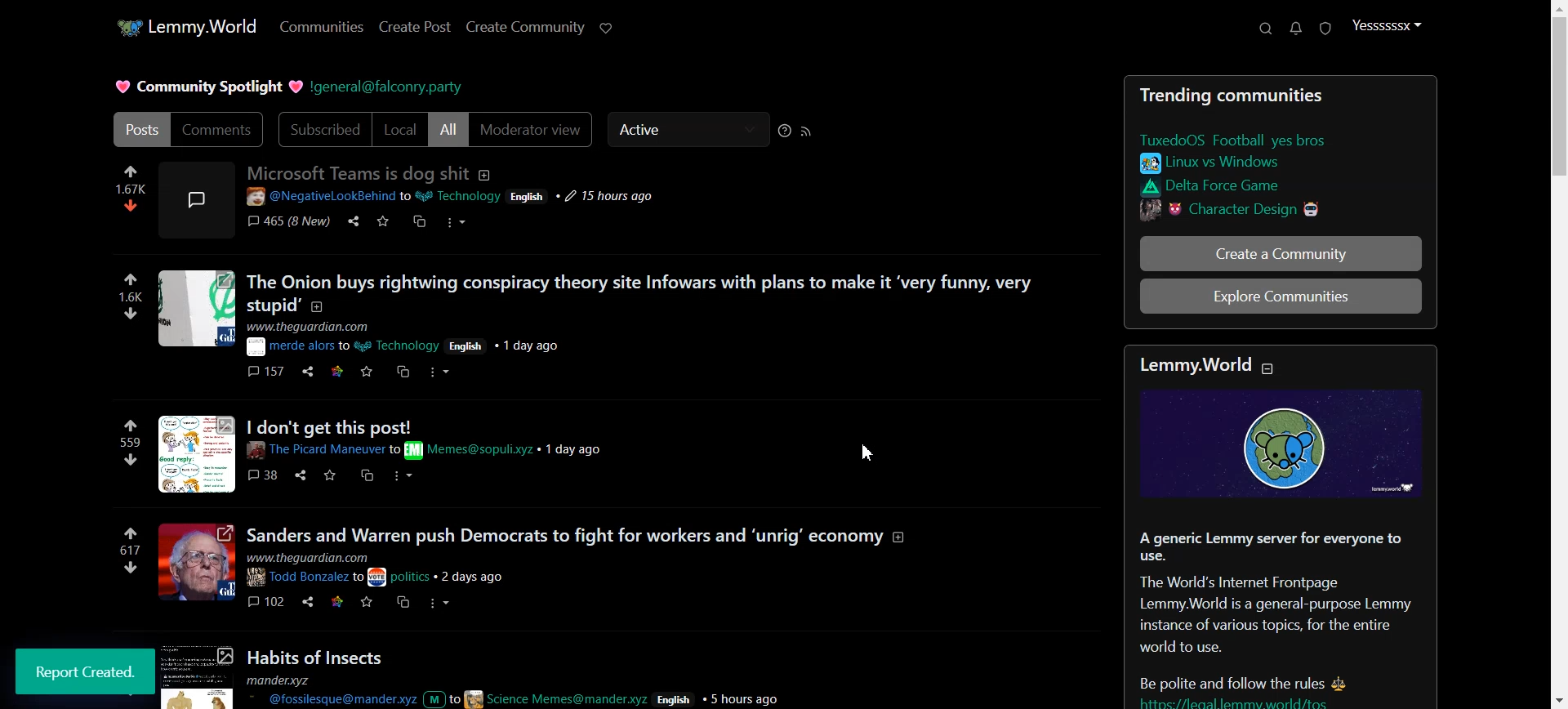  Describe the element at coordinates (266, 475) in the screenshot. I see `comments` at that location.